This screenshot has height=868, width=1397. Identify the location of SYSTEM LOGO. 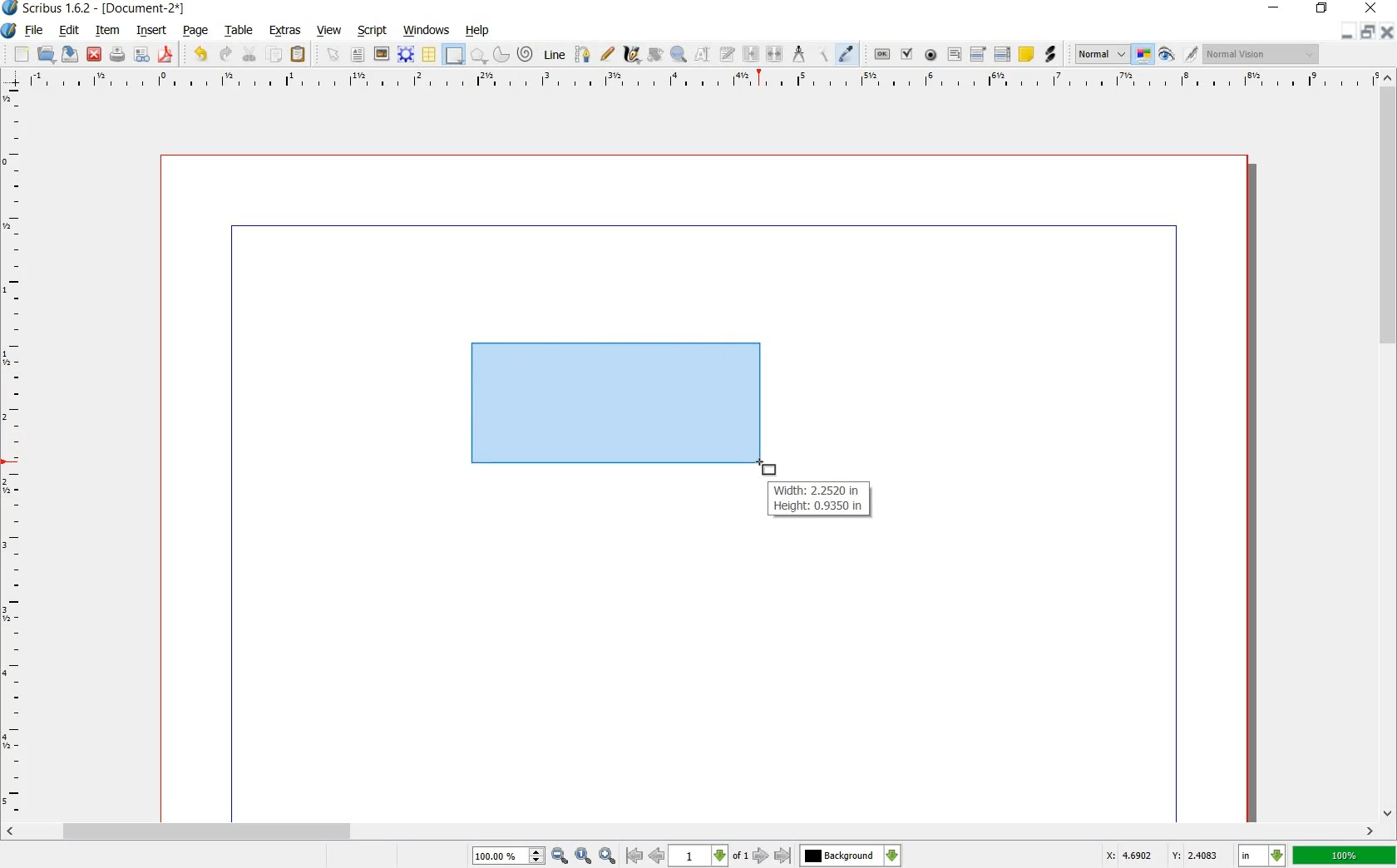
(10, 29).